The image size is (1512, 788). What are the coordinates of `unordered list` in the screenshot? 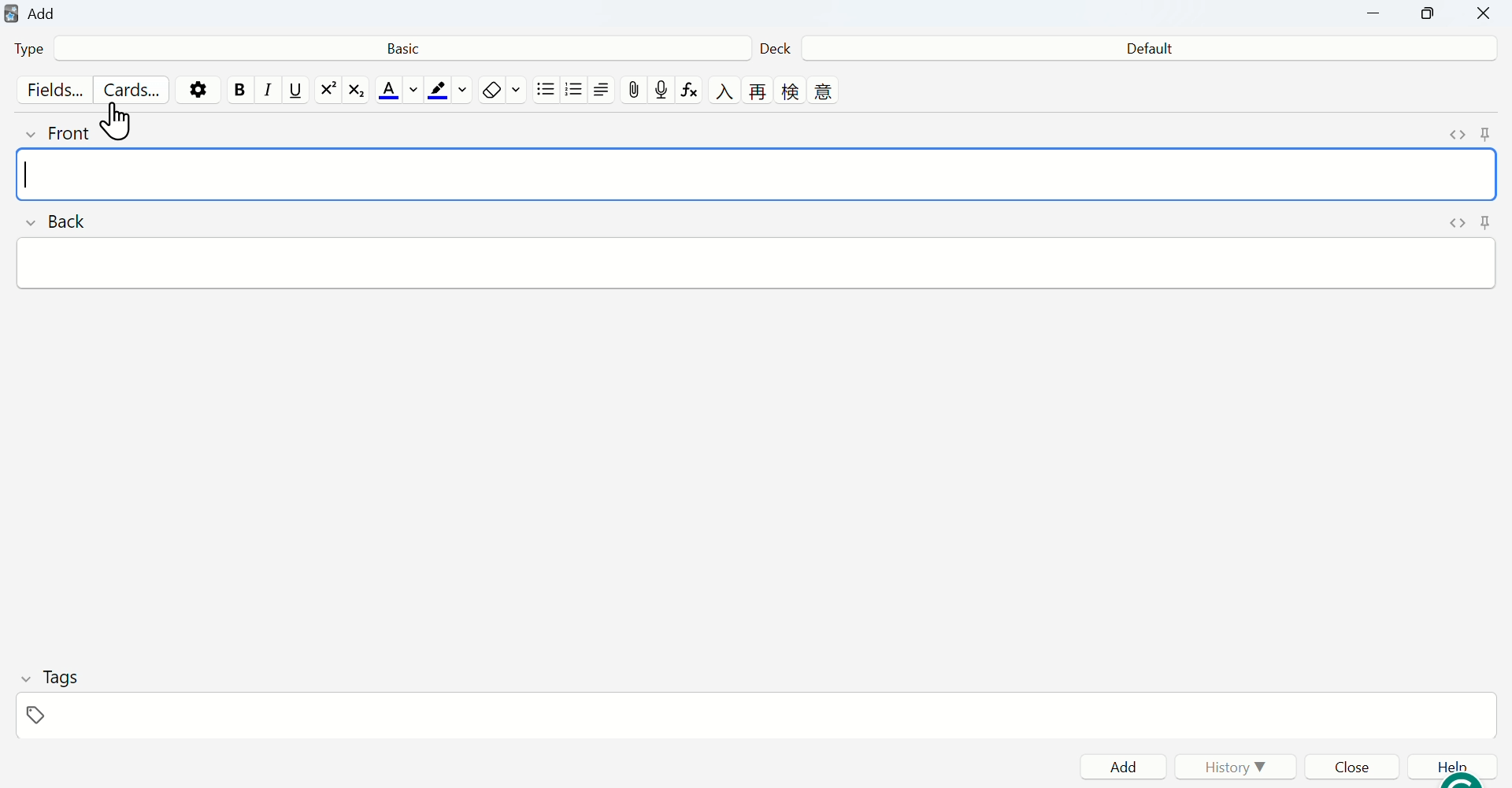 It's located at (545, 90).